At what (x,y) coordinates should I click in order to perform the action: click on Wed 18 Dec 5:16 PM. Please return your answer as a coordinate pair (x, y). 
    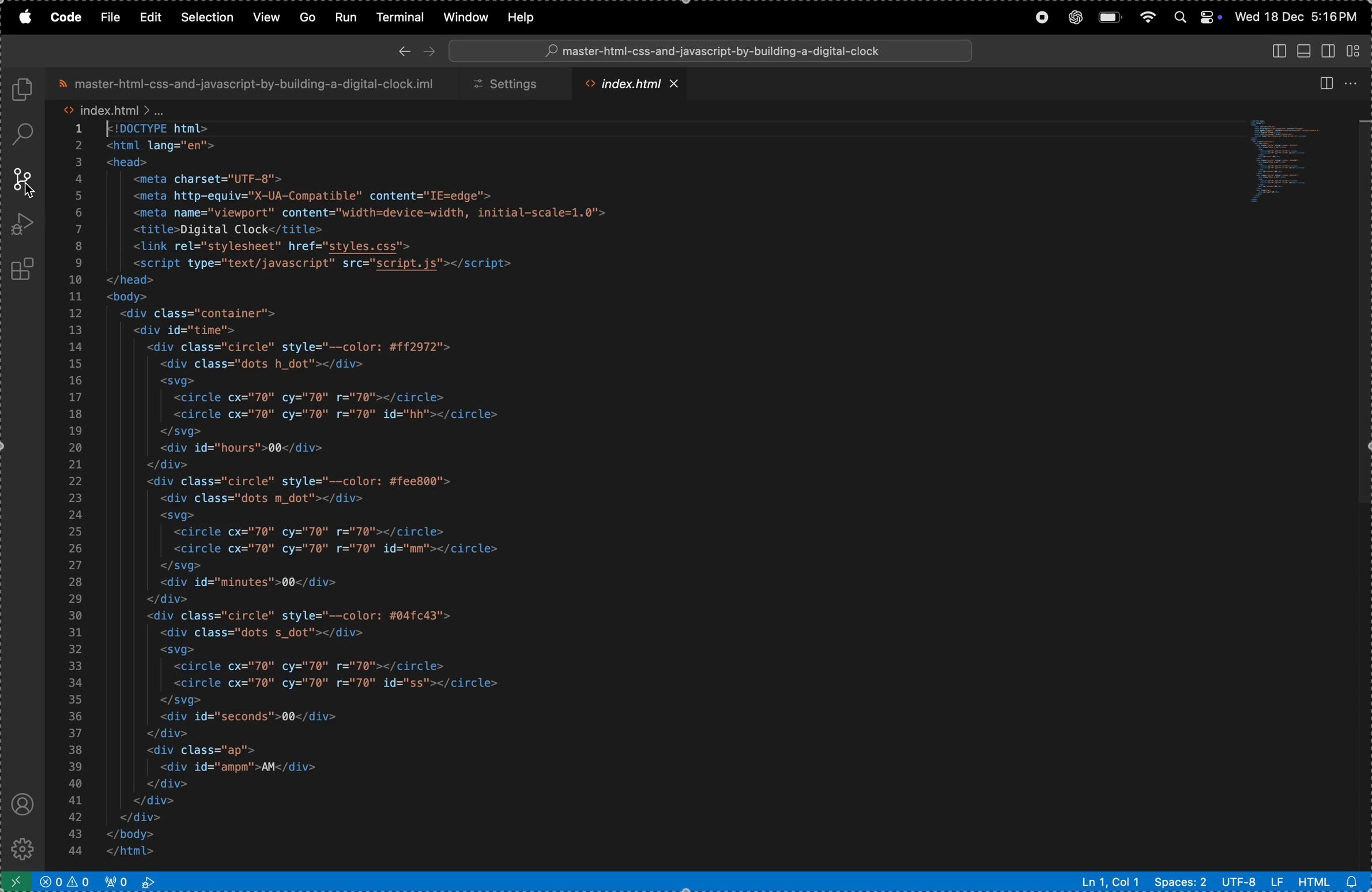
    Looking at the image, I should click on (1295, 16).